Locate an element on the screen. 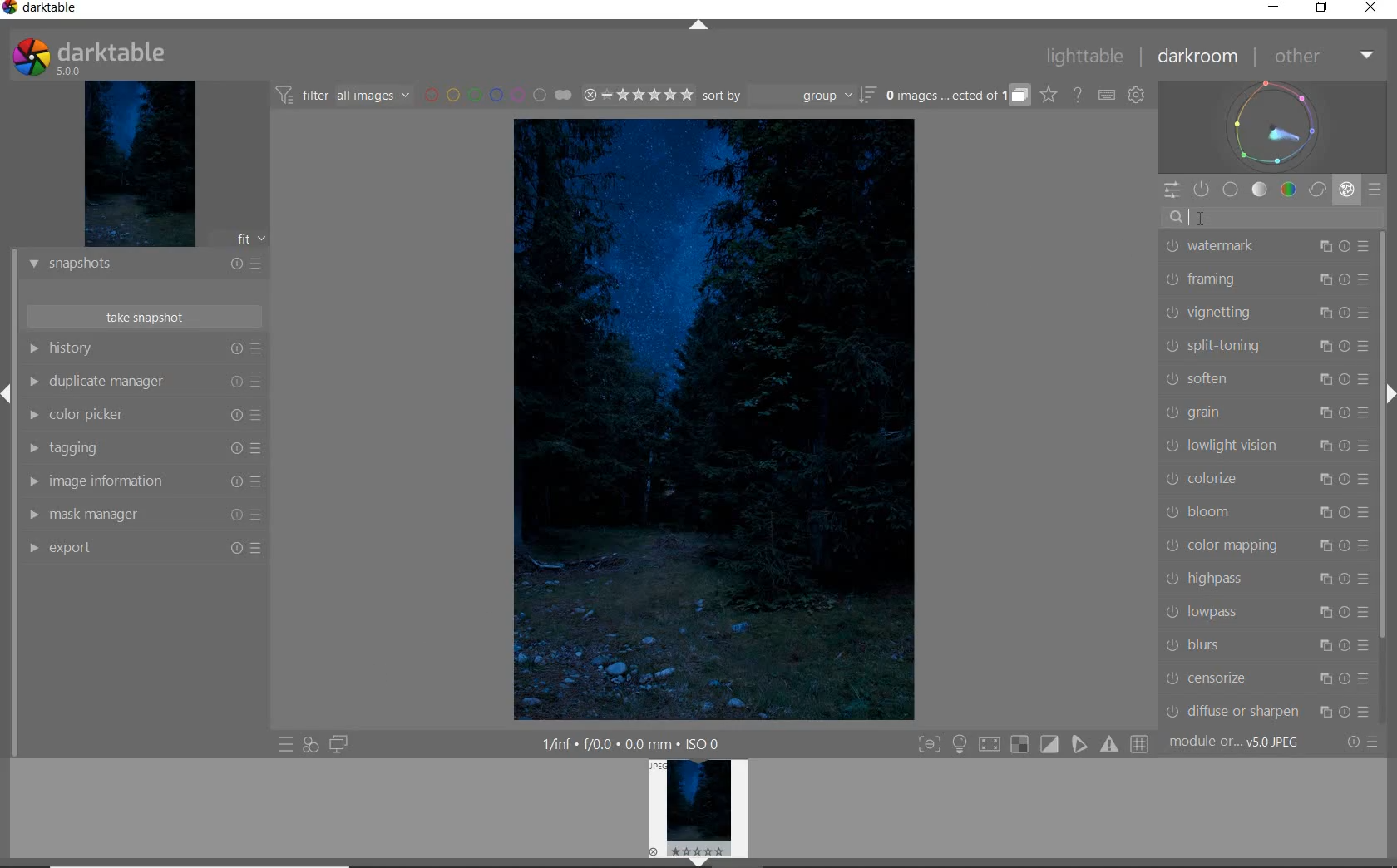 Image resolution: width=1397 pixels, height=868 pixels. SNAPSHOTS is located at coordinates (144, 266).